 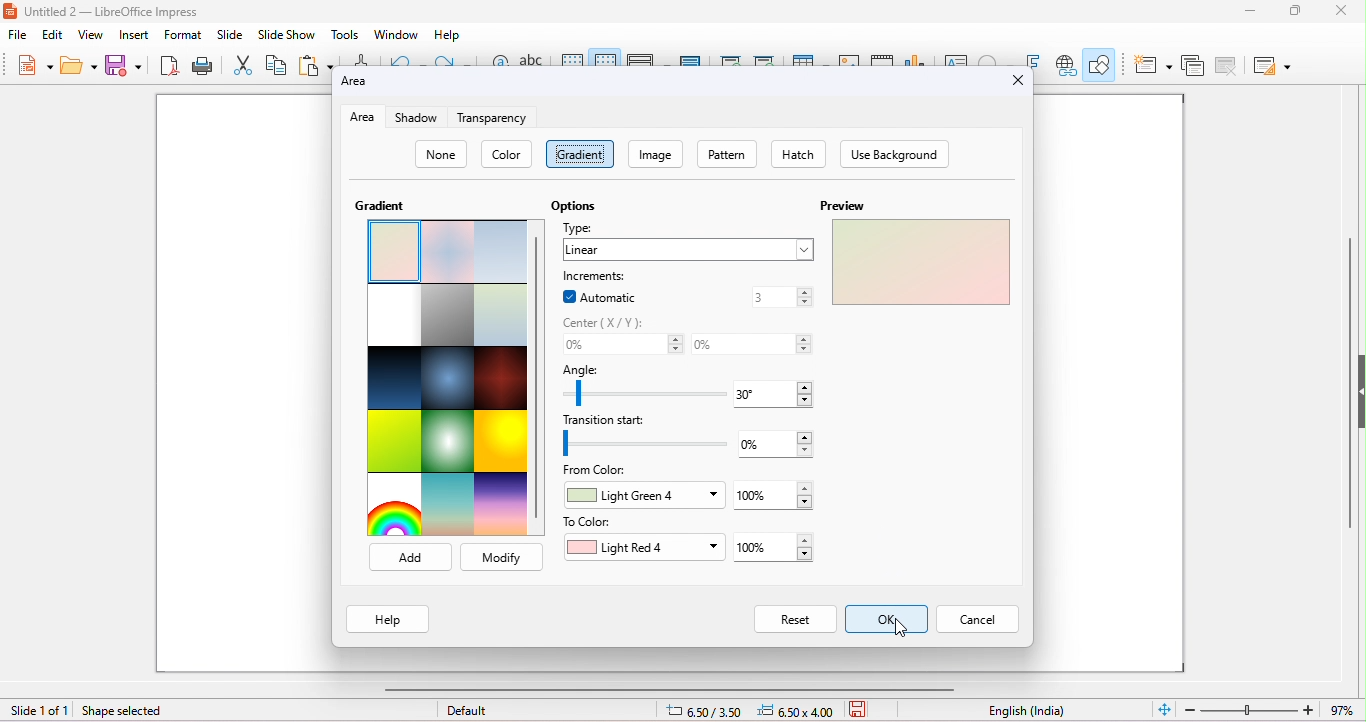 What do you see at coordinates (501, 316) in the screenshot?
I see `Gradient option 6` at bounding box center [501, 316].